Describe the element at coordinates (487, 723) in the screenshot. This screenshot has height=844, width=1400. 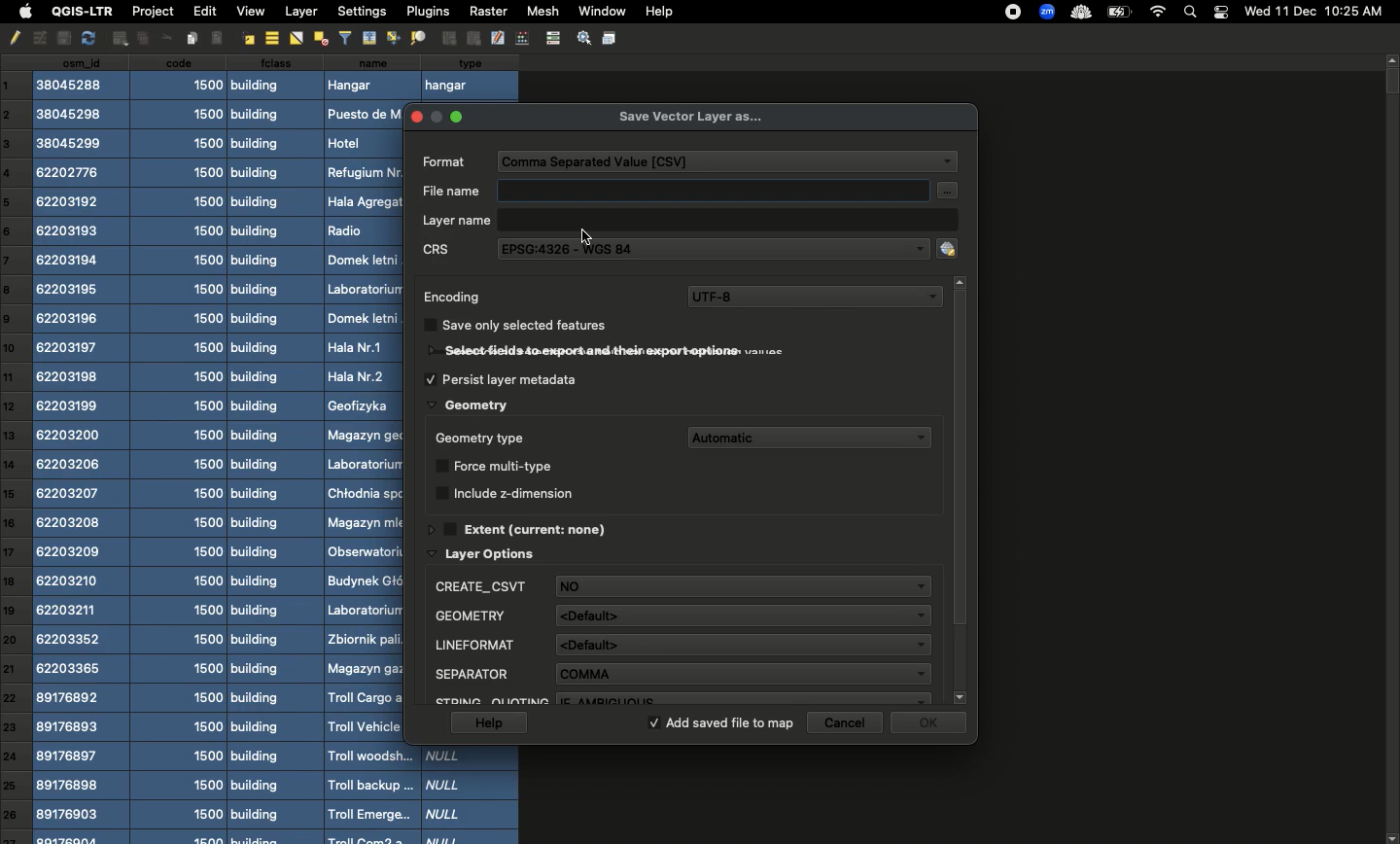
I see `Help` at that location.